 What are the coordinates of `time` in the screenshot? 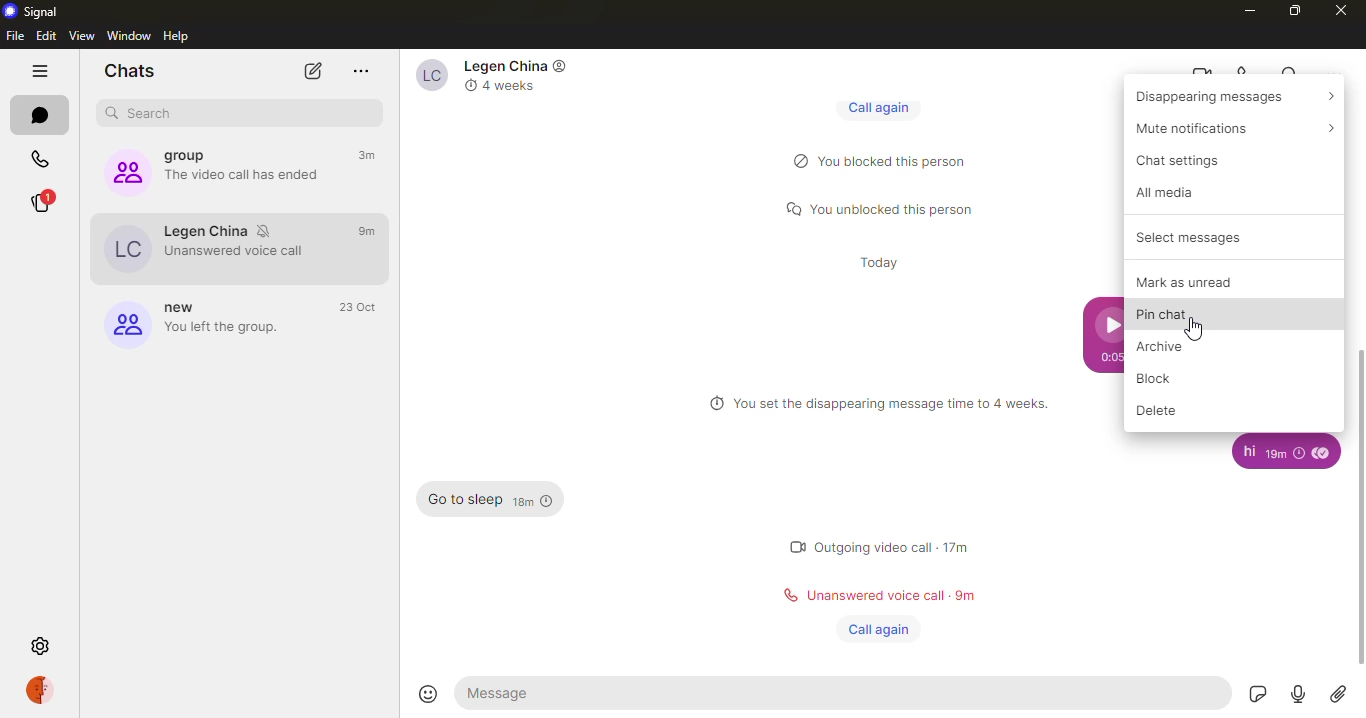 It's located at (366, 228).